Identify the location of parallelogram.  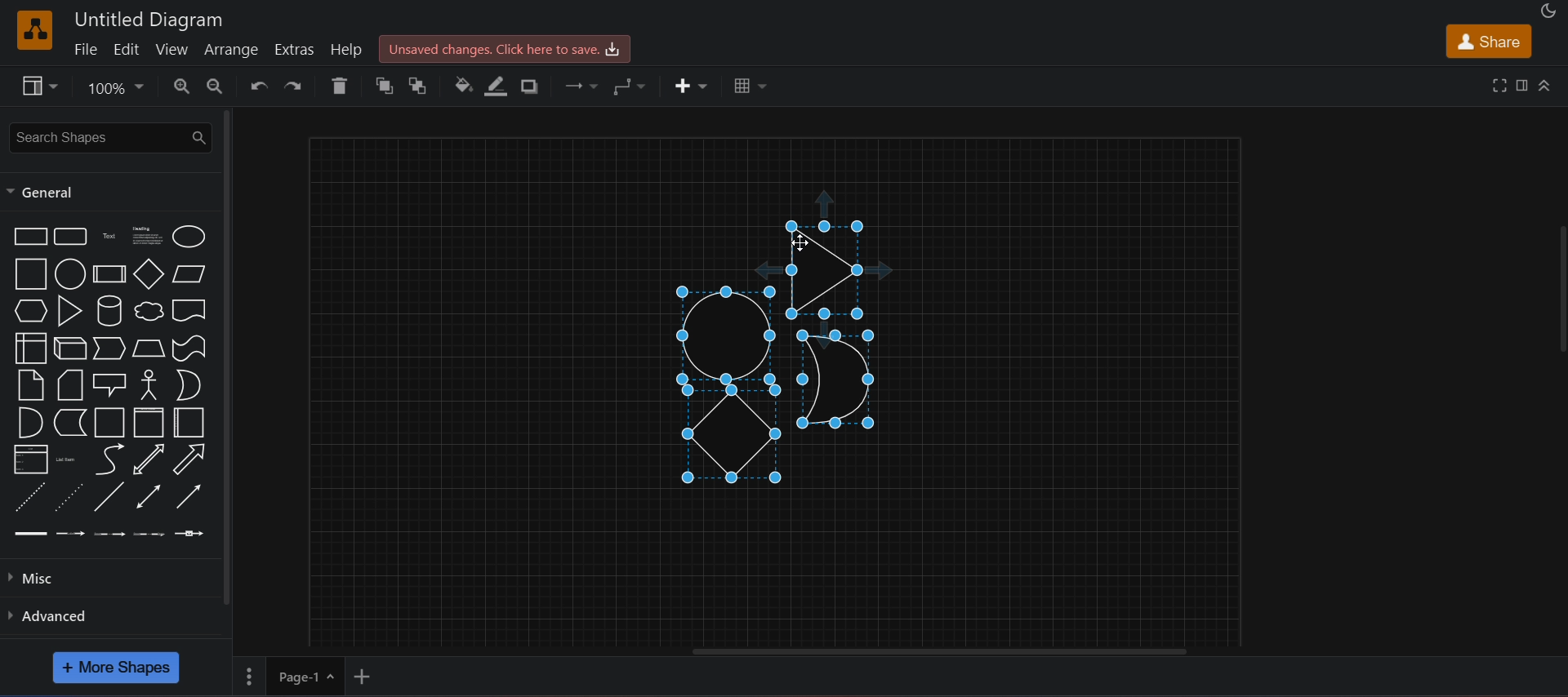
(189, 274).